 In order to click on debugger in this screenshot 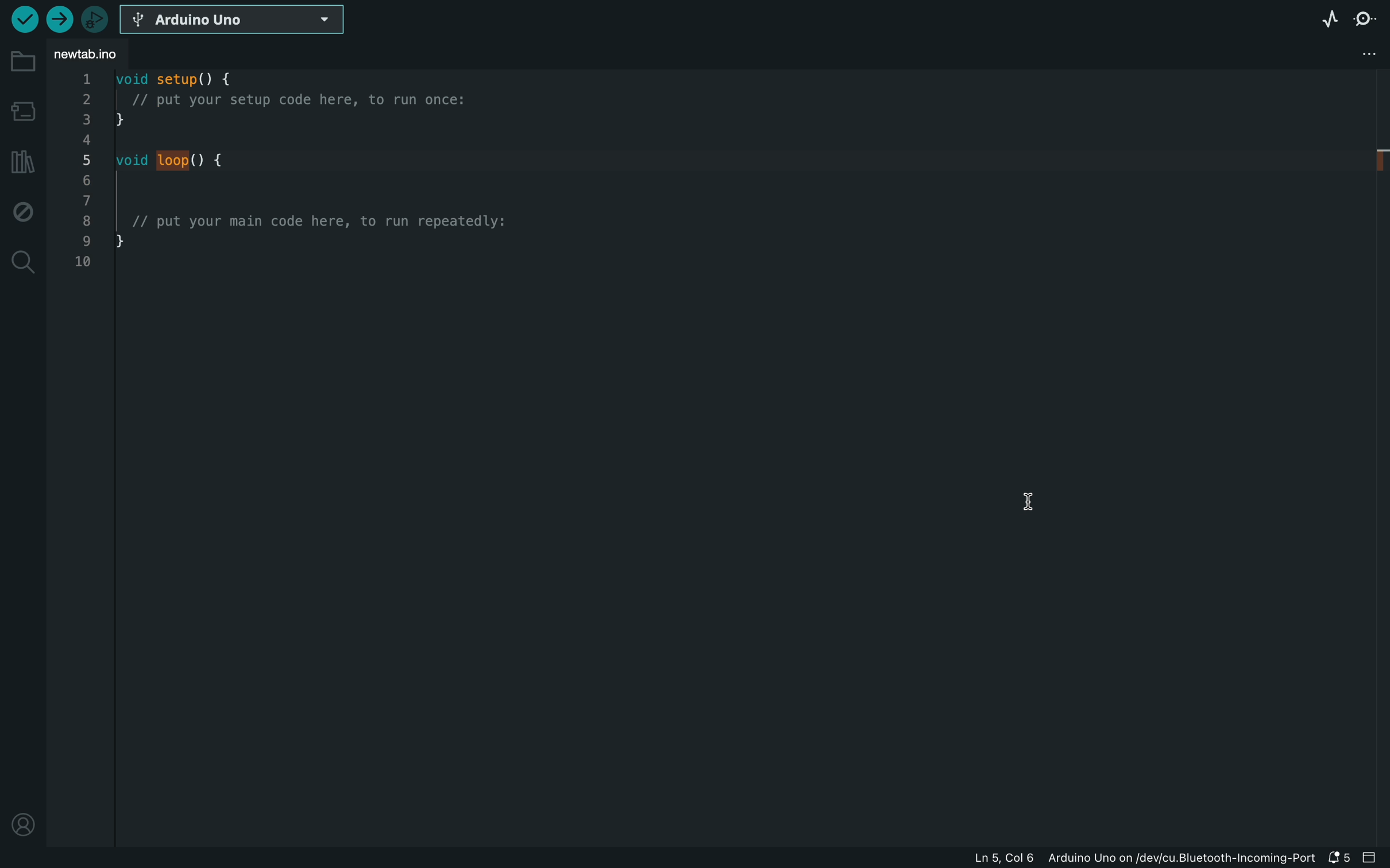, I will do `click(96, 18)`.